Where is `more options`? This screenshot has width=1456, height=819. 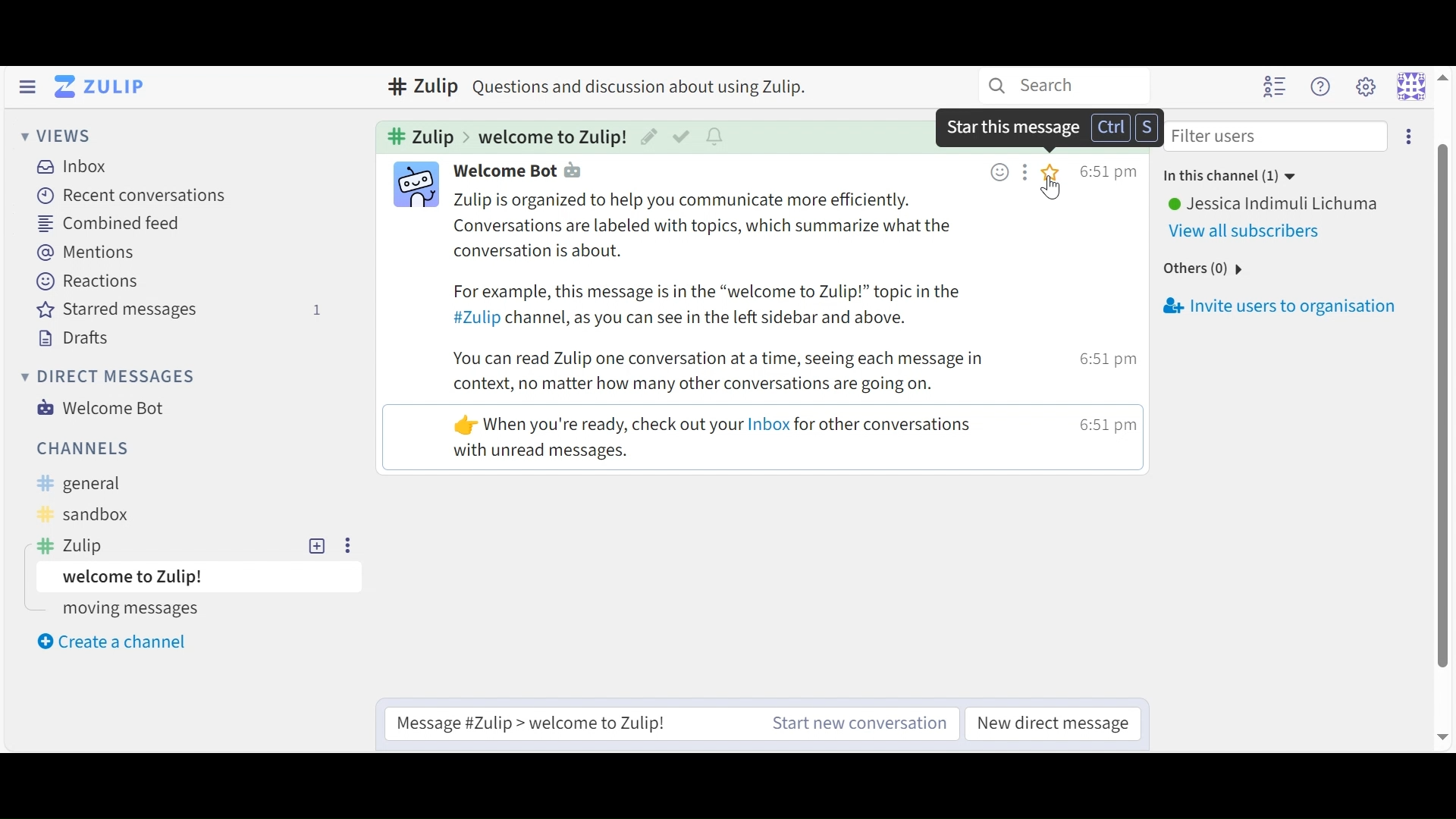 more options is located at coordinates (351, 545).